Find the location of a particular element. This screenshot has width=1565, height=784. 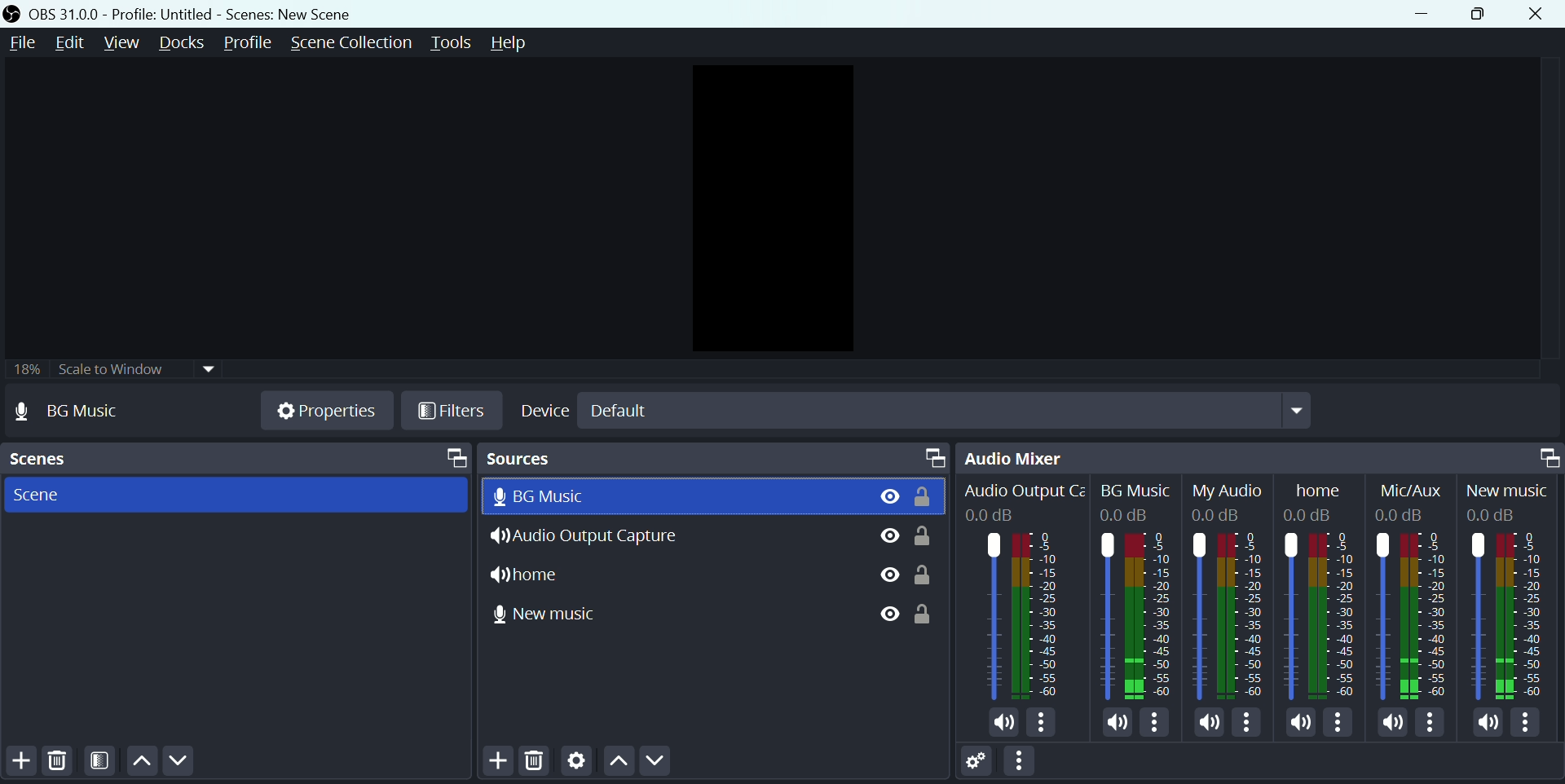

More  is located at coordinates (1028, 764).